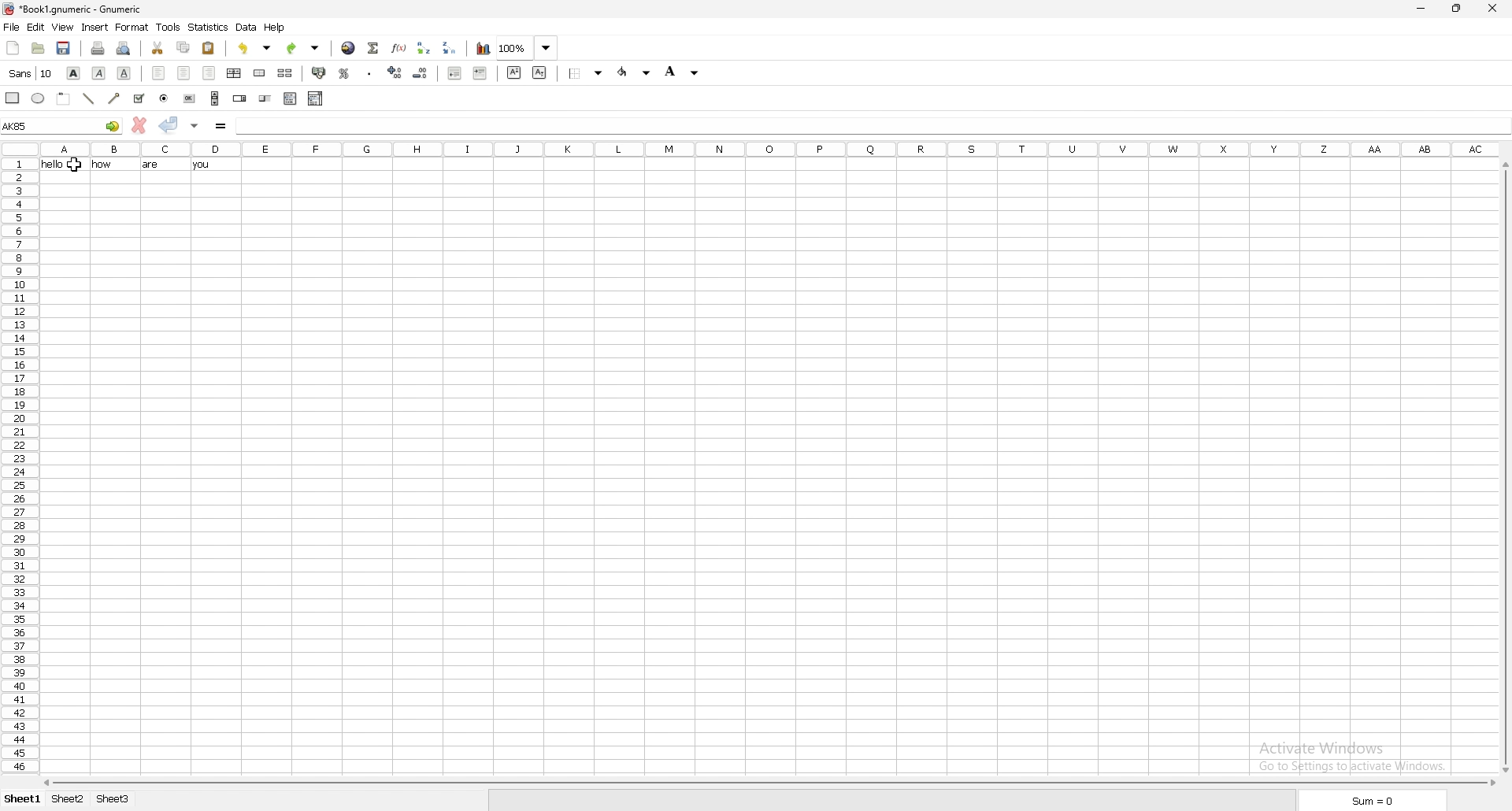 The height and width of the screenshot is (811, 1512). What do you see at coordinates (285, 73) in the screenshot?
I see `split merged cells` at bounding box center [285, 73].